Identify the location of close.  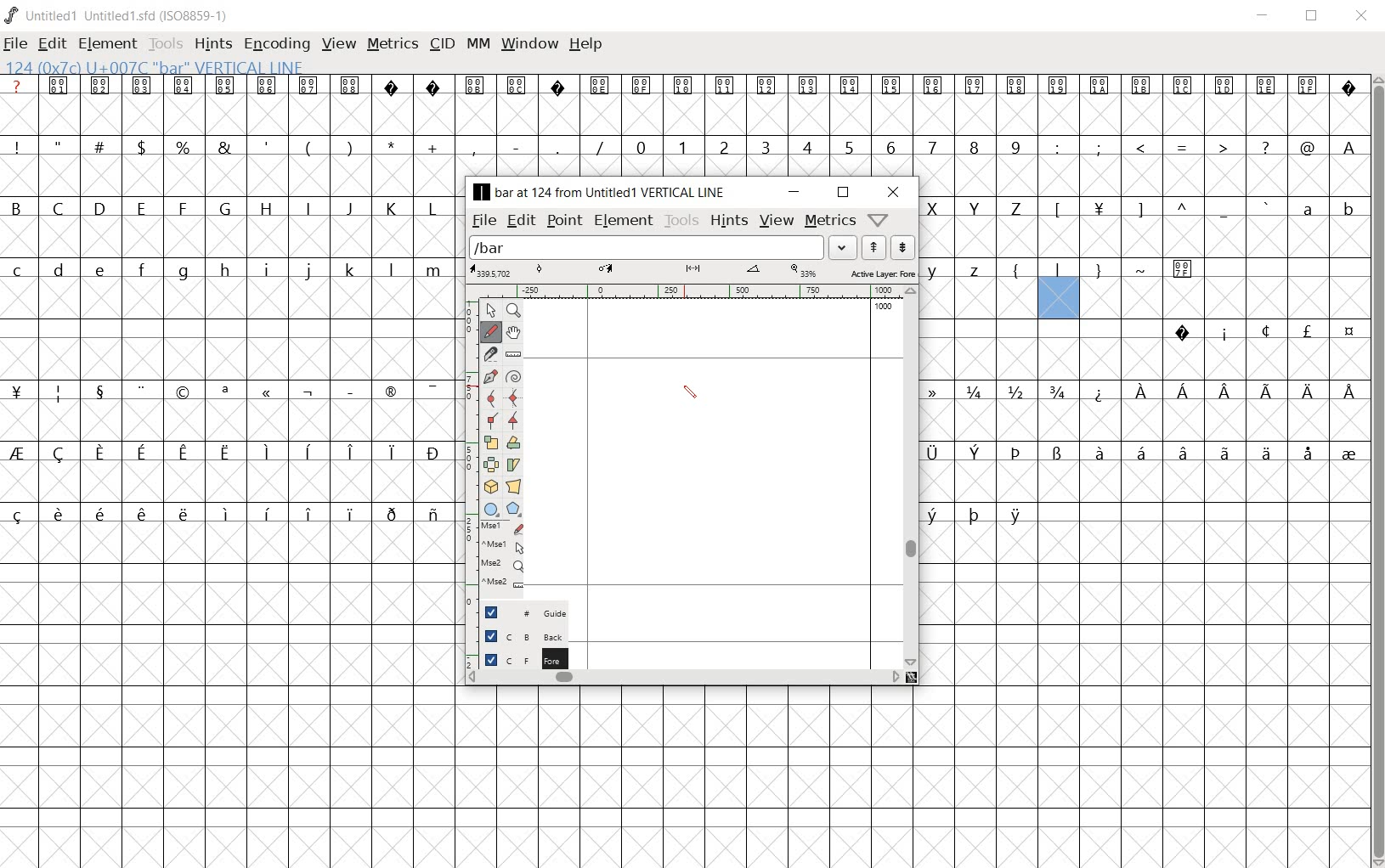
(895, 192).